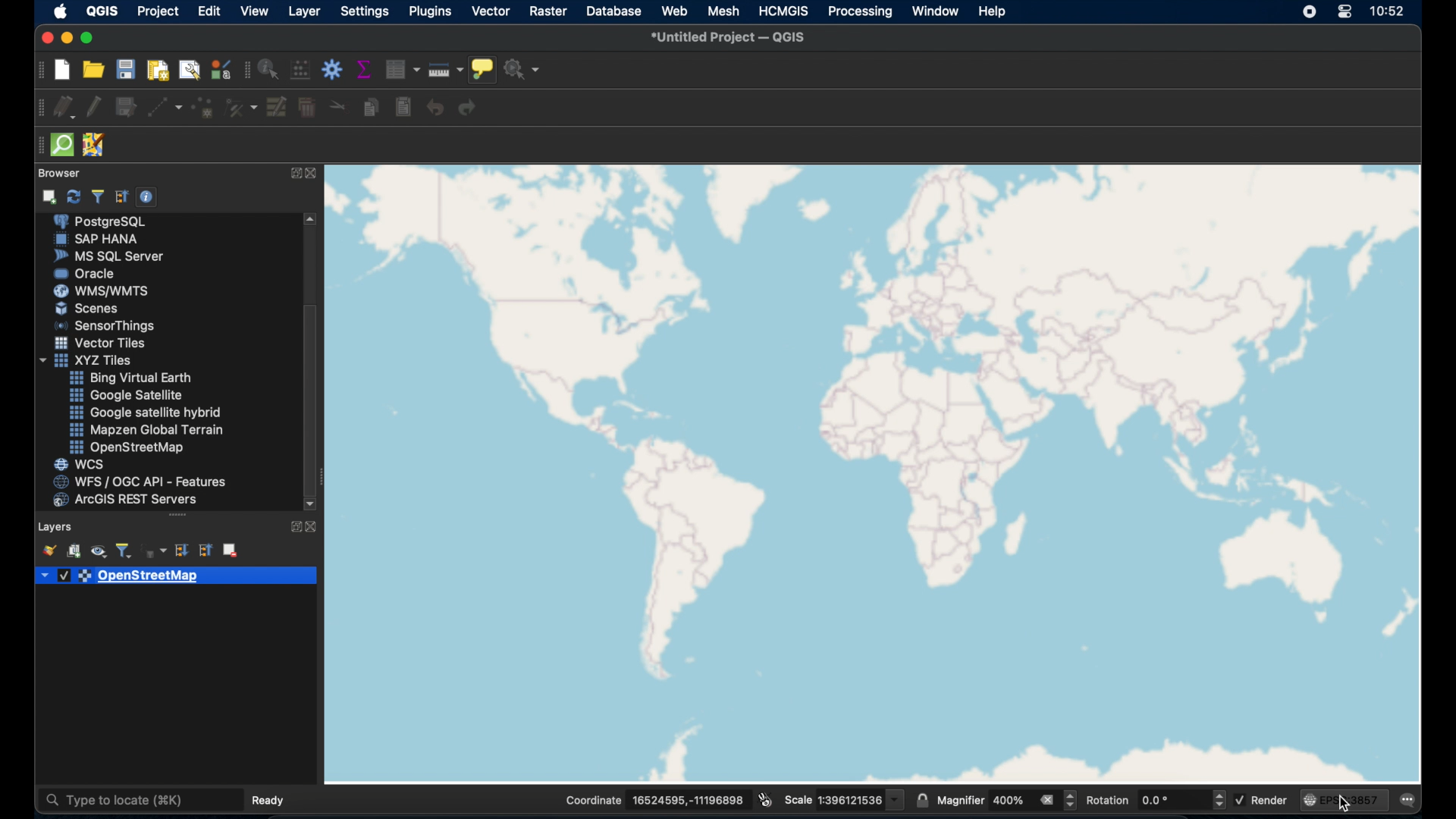 This screenshot has width=1456, height=819. I want to click on minimize, so click(67, 38).